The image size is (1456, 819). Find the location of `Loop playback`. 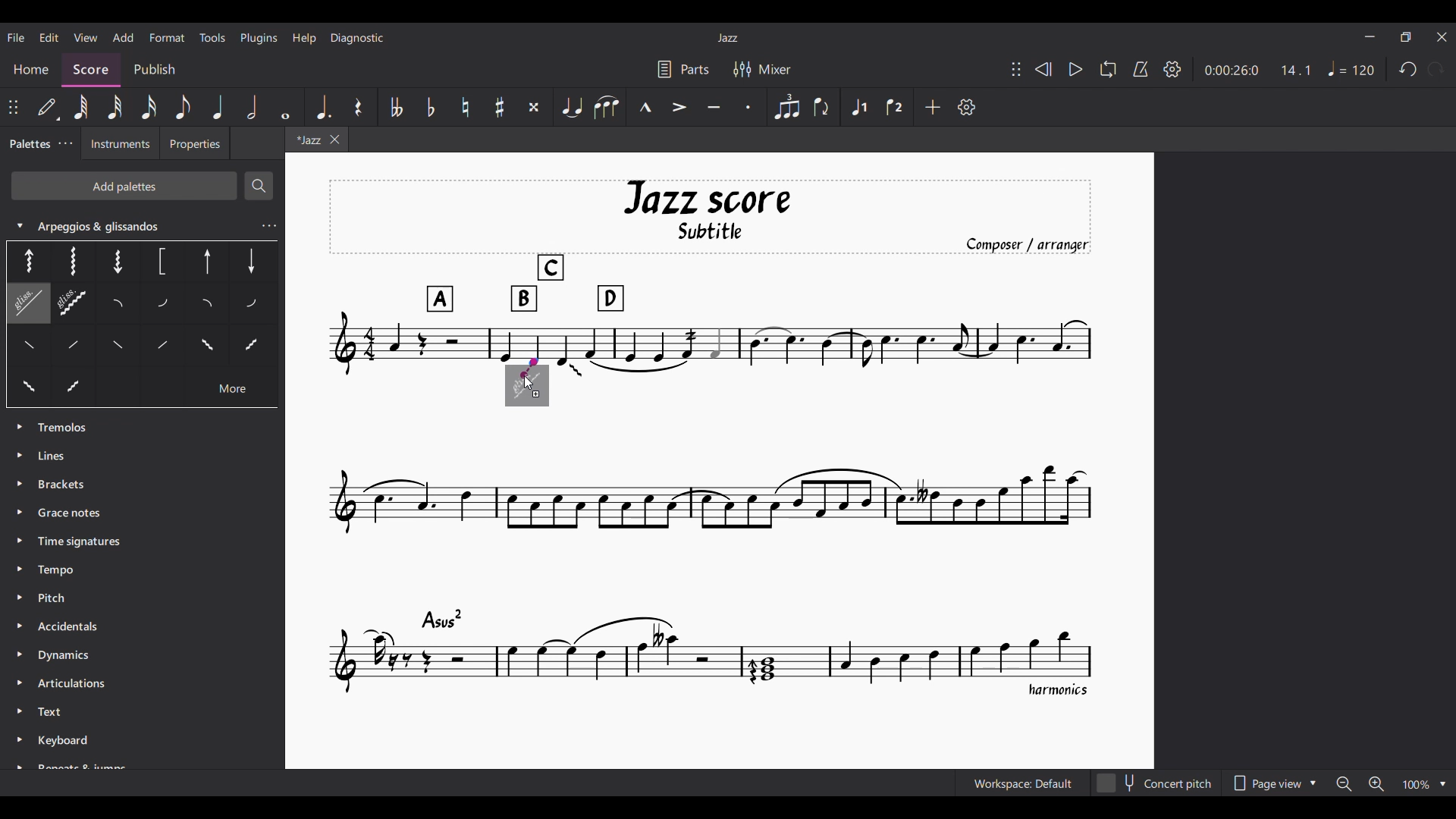

Loop playback is located at coordinates (1108, 69).